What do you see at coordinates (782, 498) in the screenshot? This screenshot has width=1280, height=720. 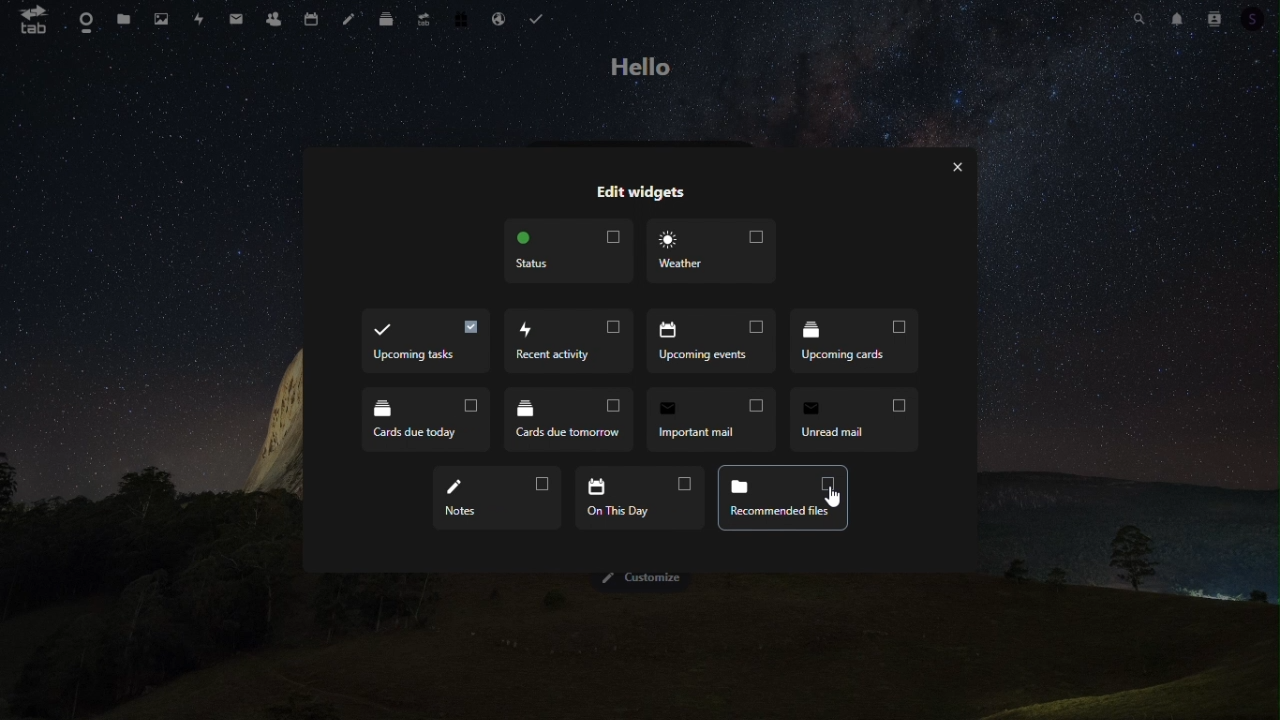 I see `upcoming tasks` at bounding box center [782, 498].